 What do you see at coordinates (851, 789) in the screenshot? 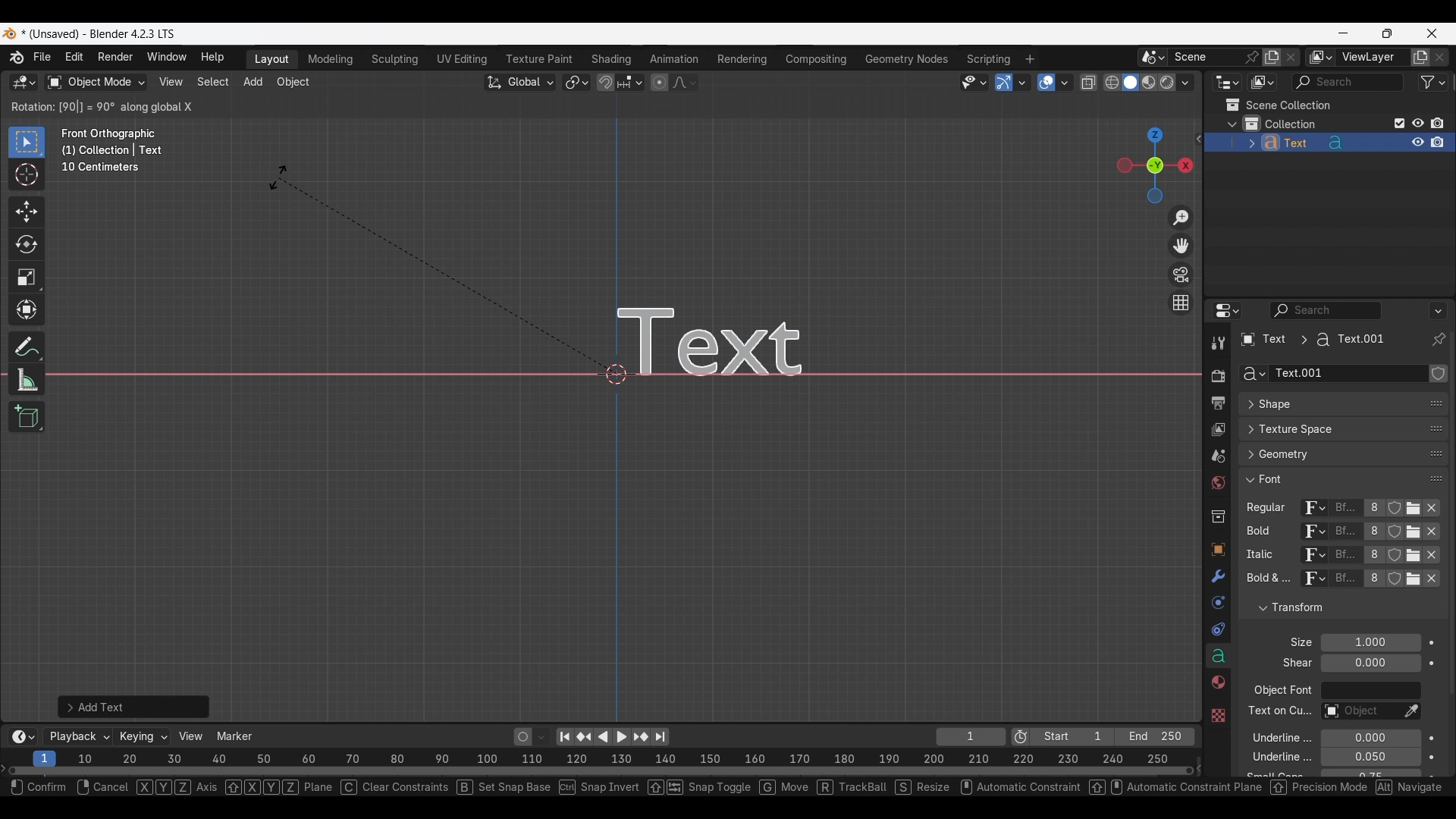
I see `track bail` at bounding box center [851, 789].